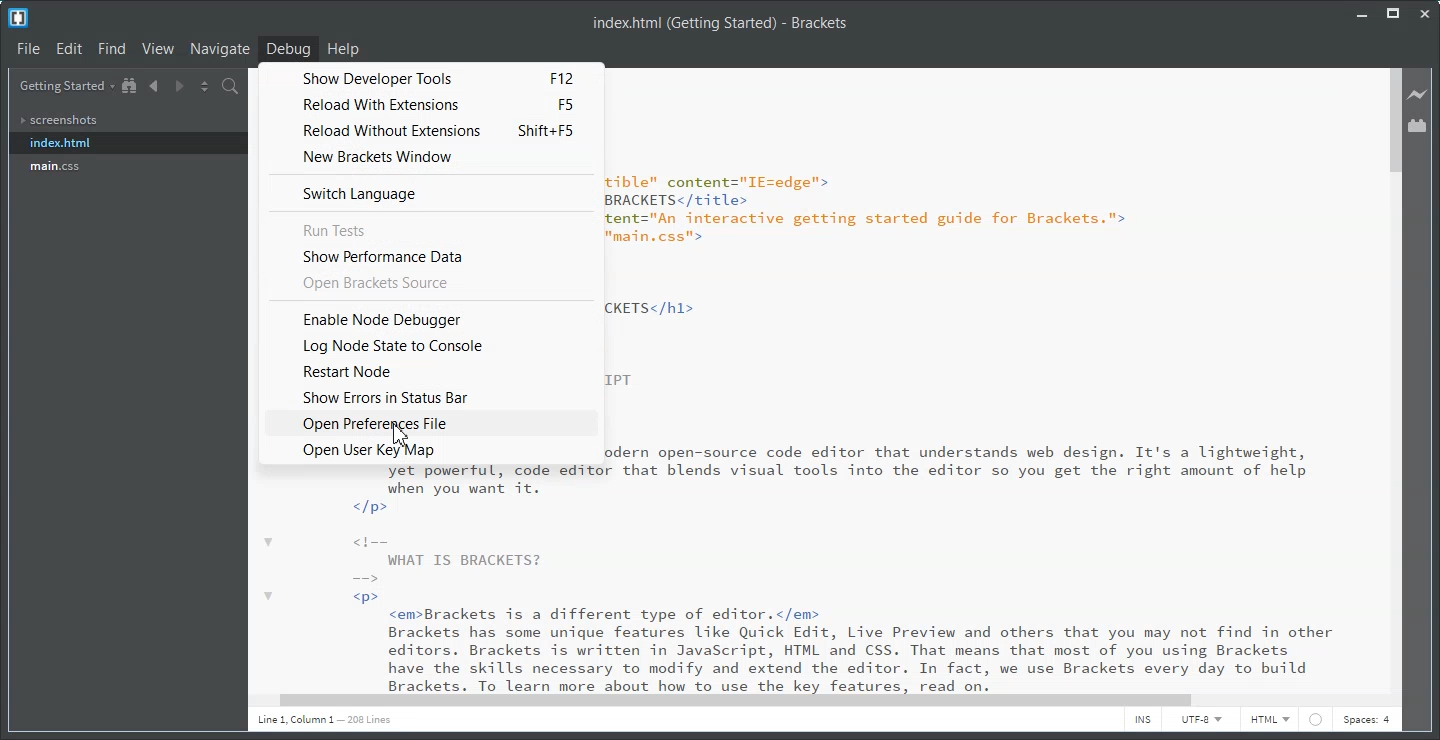 Image resolution: width=1440 pixels, height=740 pixels. Describe the element at coordinates (1395, 378) in the screenshot. I see `Vertical scroll bar` at that location.